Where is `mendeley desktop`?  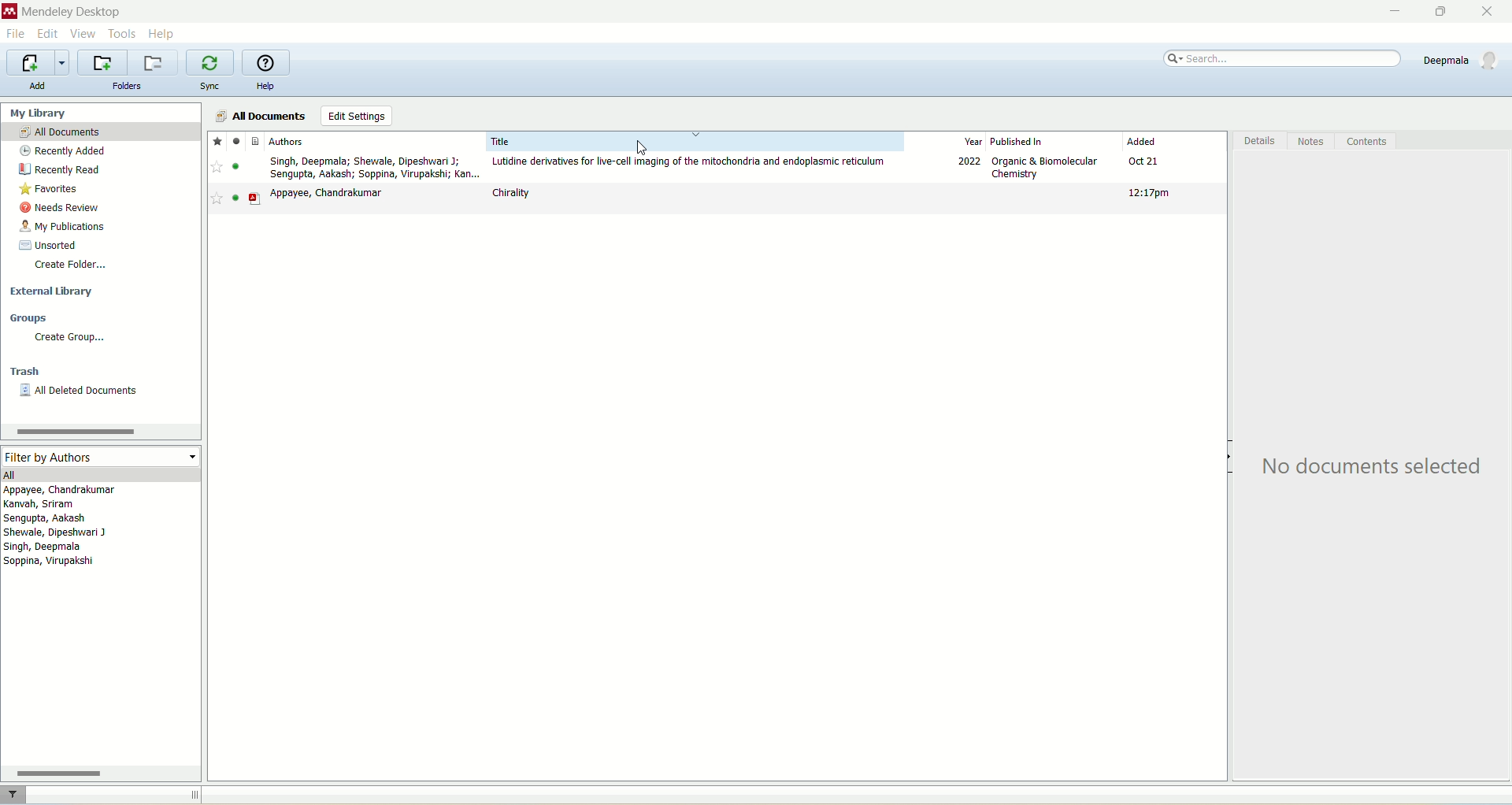 mendeley desktop is located at coordinates (77, 11).